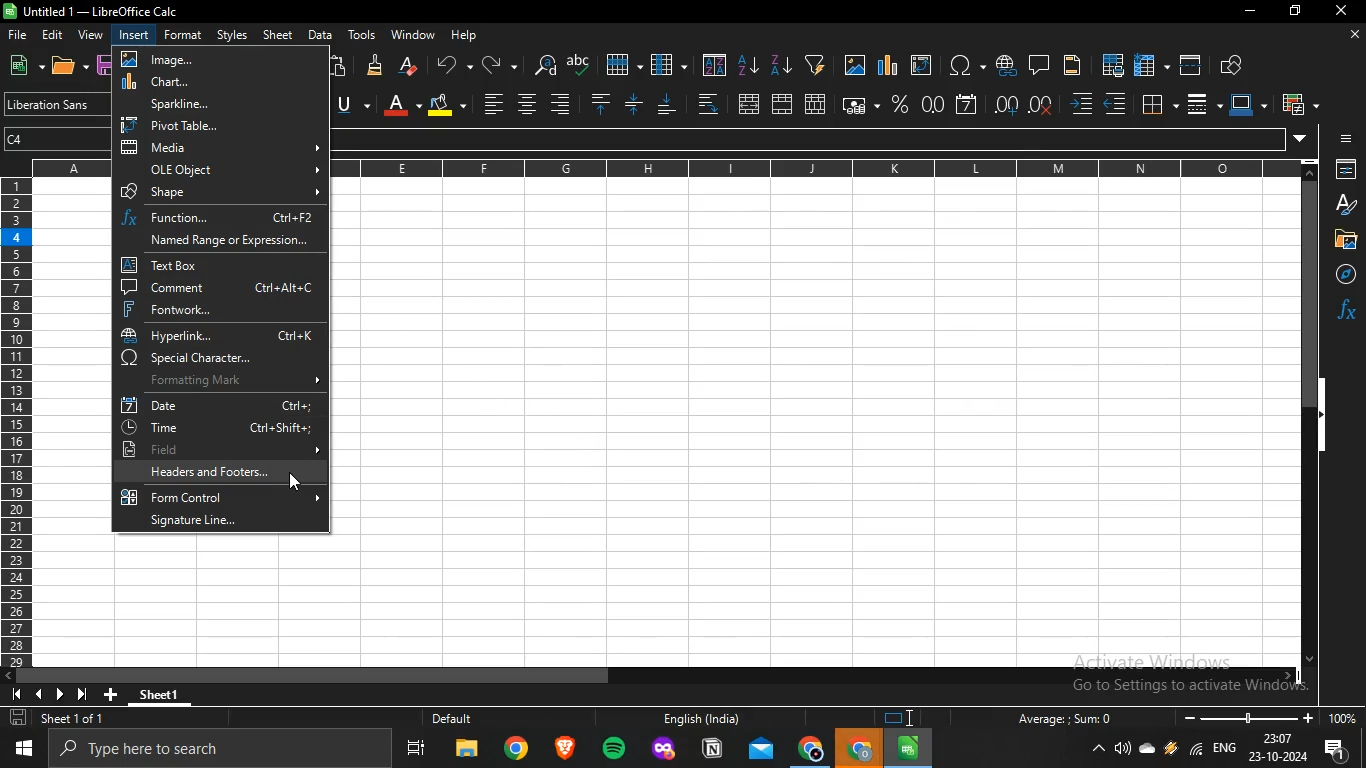  Describe the element at coordinates (920, 64) in the screenshot. I see `insert or edit pivot table` at that location.